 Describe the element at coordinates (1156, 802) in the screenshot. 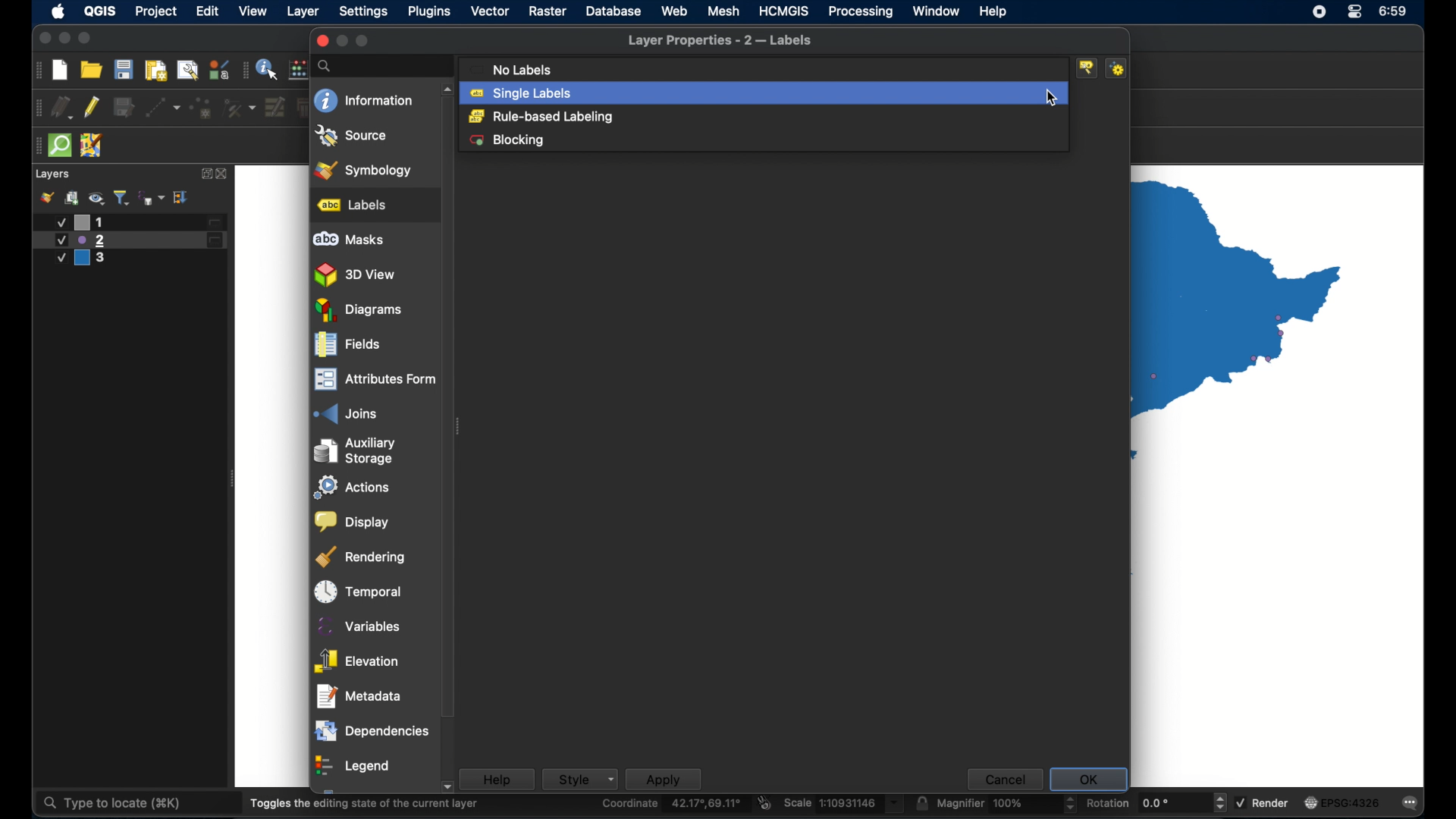

I see `rotation` at that location.